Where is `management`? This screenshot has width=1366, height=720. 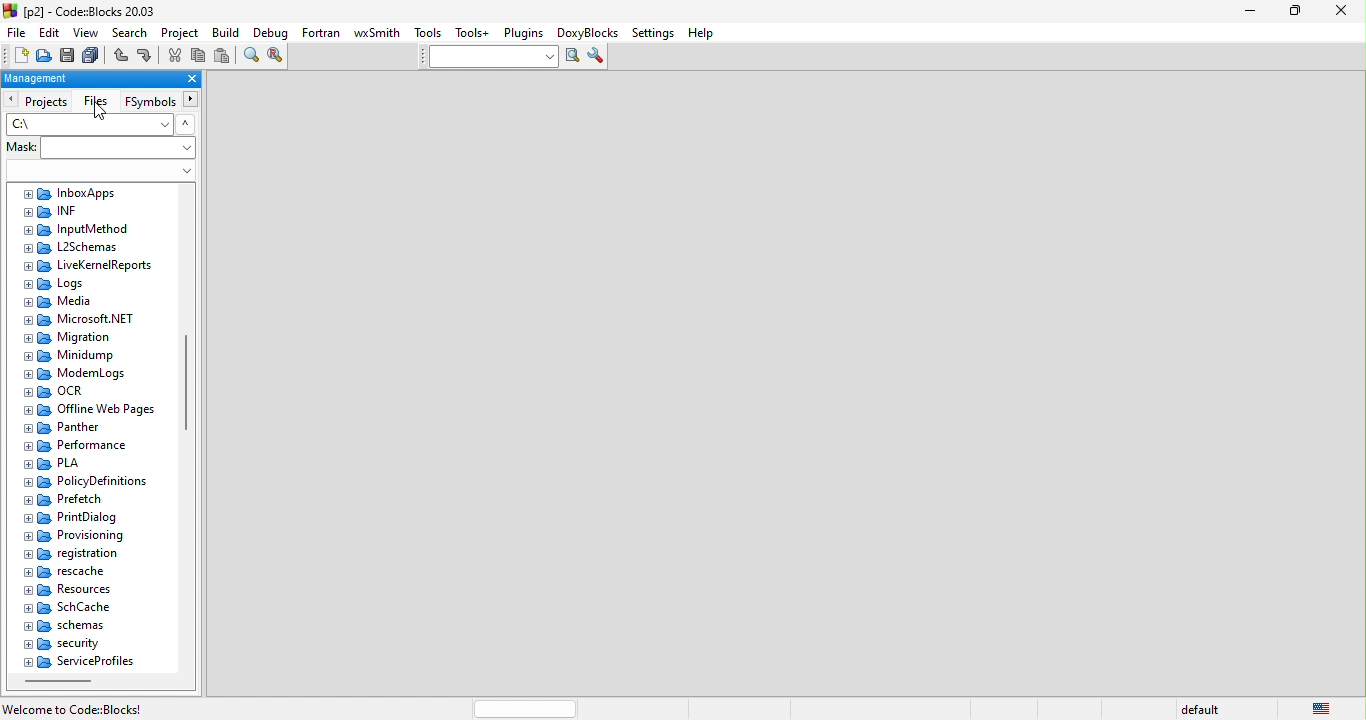
management is located at coordinates (38, 77).